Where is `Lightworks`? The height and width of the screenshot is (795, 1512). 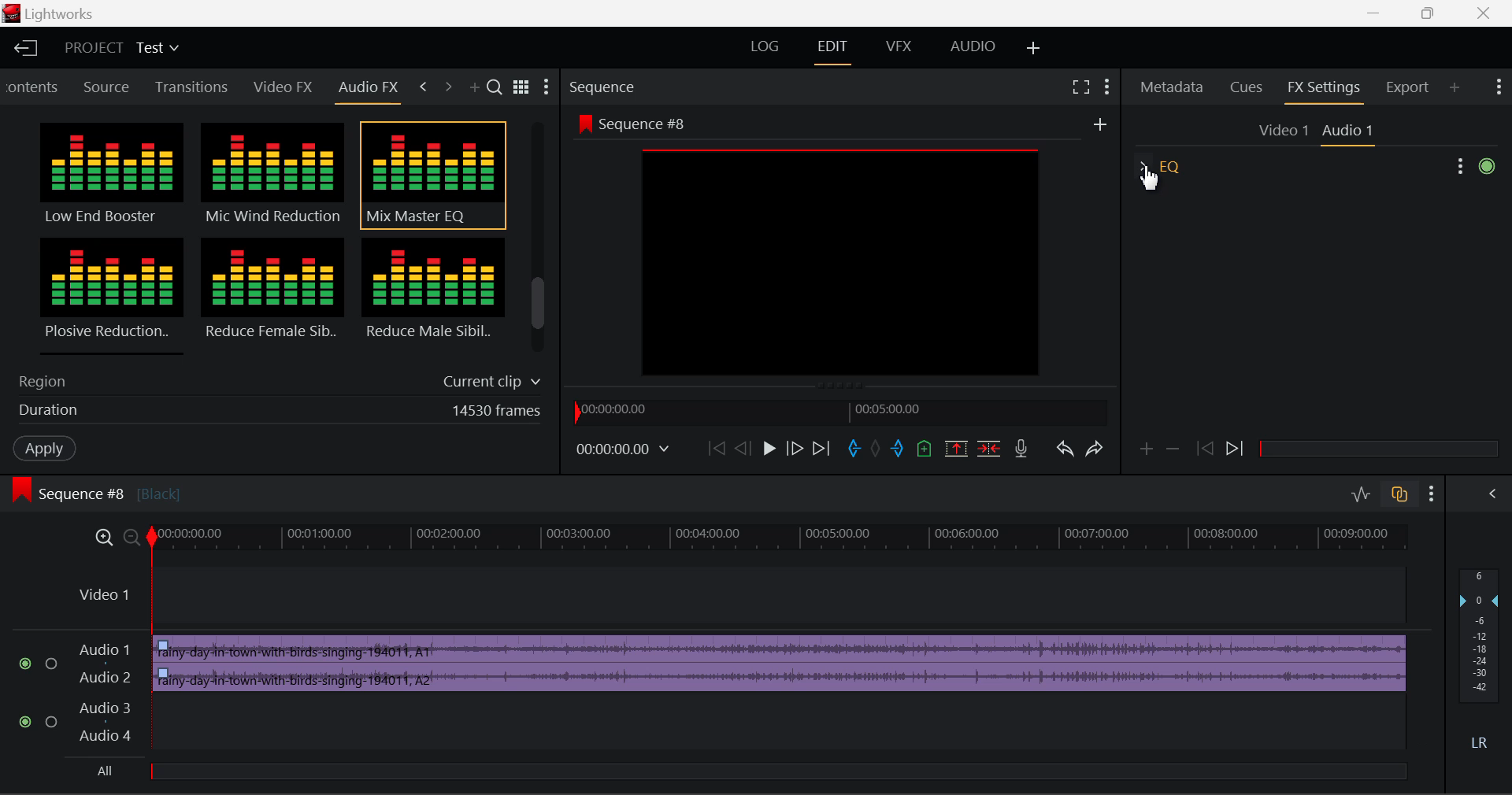 Lightworks is located at coordinates (71, 14).